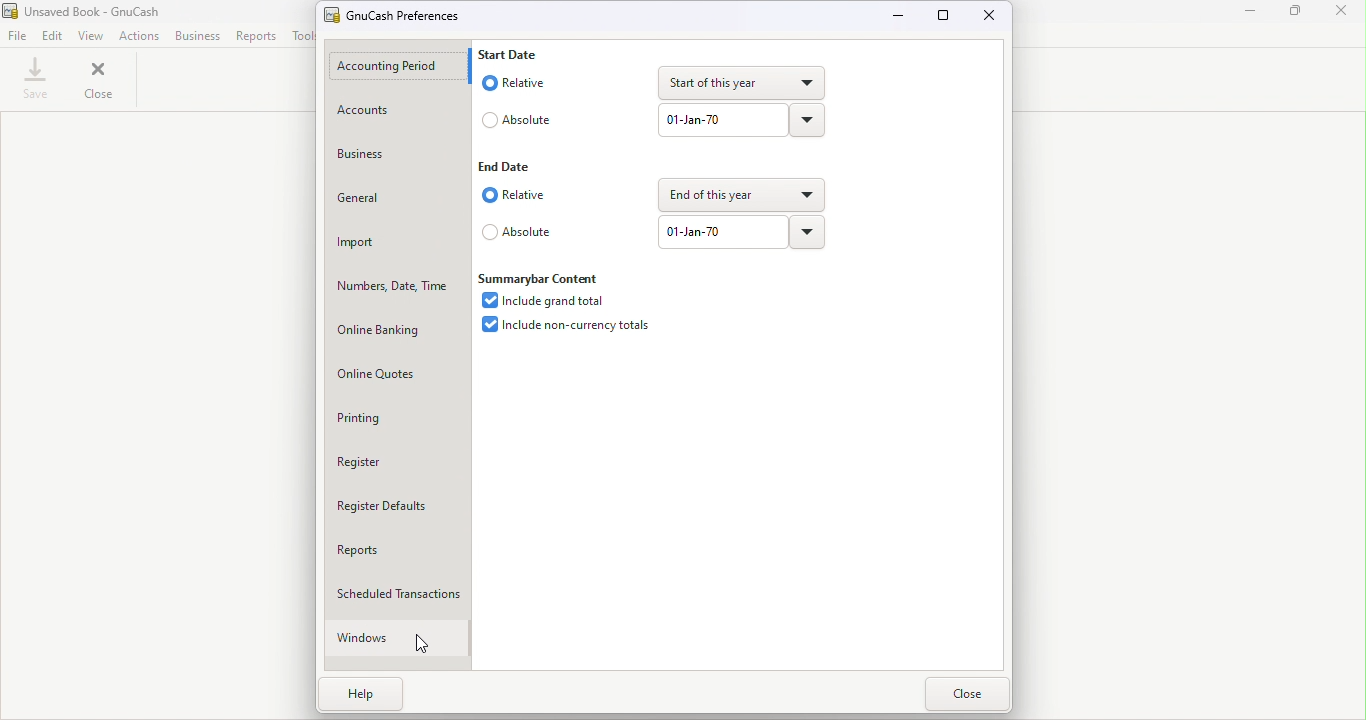 This screenshot has width=1366, height=720. I want to click on Reports, so click(257, 35).